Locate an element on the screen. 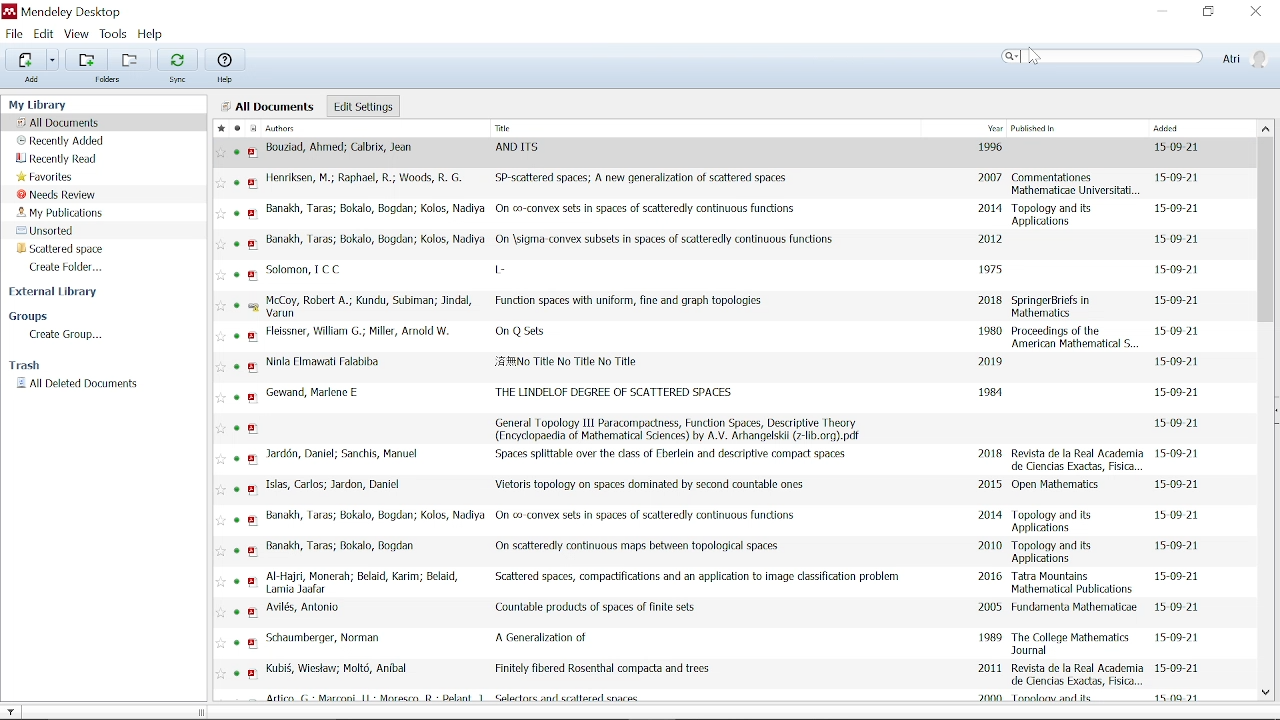 This screenshot has height=720, width=1280. Added is located at coordinates (1195, 128).